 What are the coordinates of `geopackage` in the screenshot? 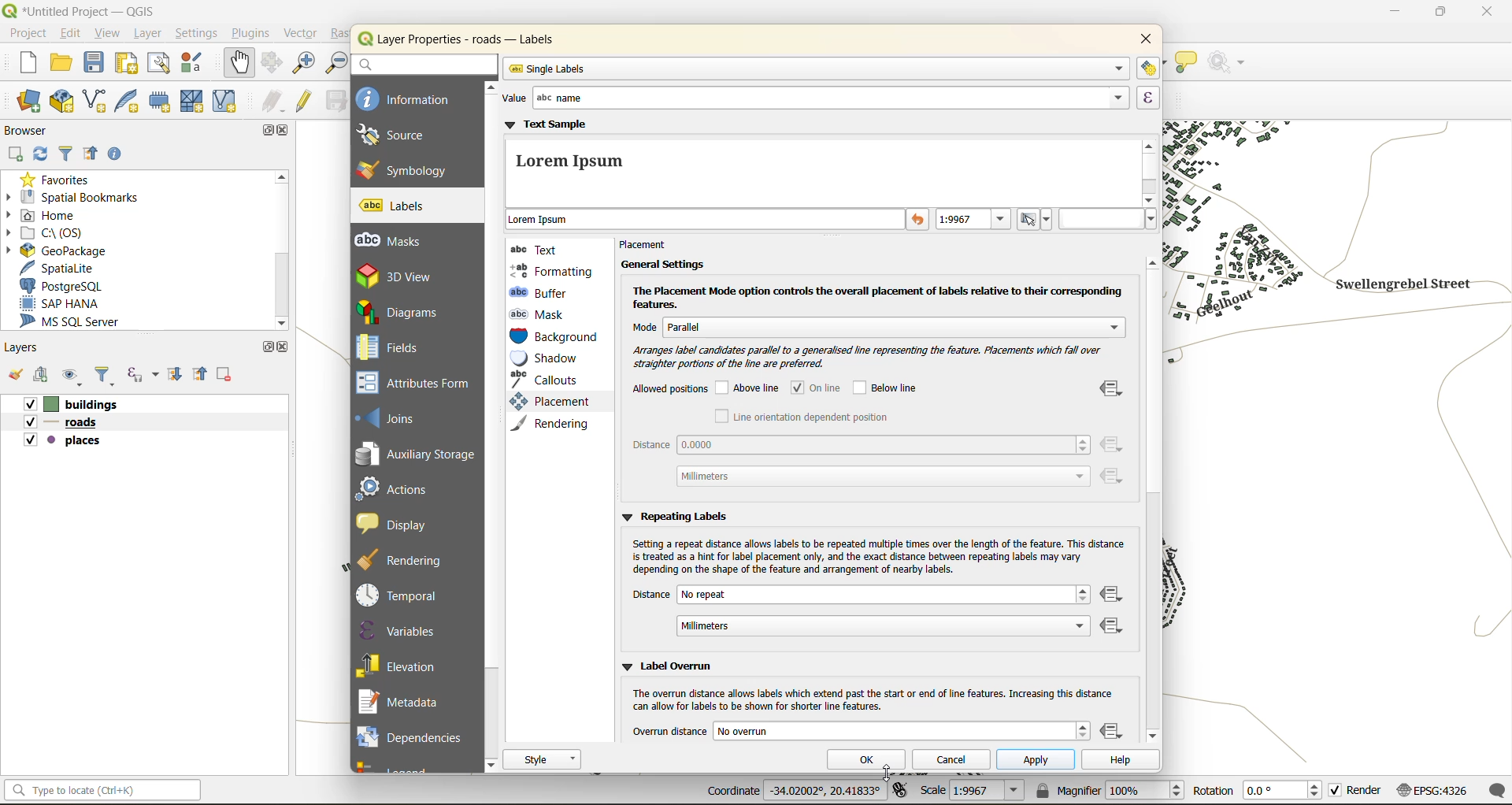 It's located at (65, 253).